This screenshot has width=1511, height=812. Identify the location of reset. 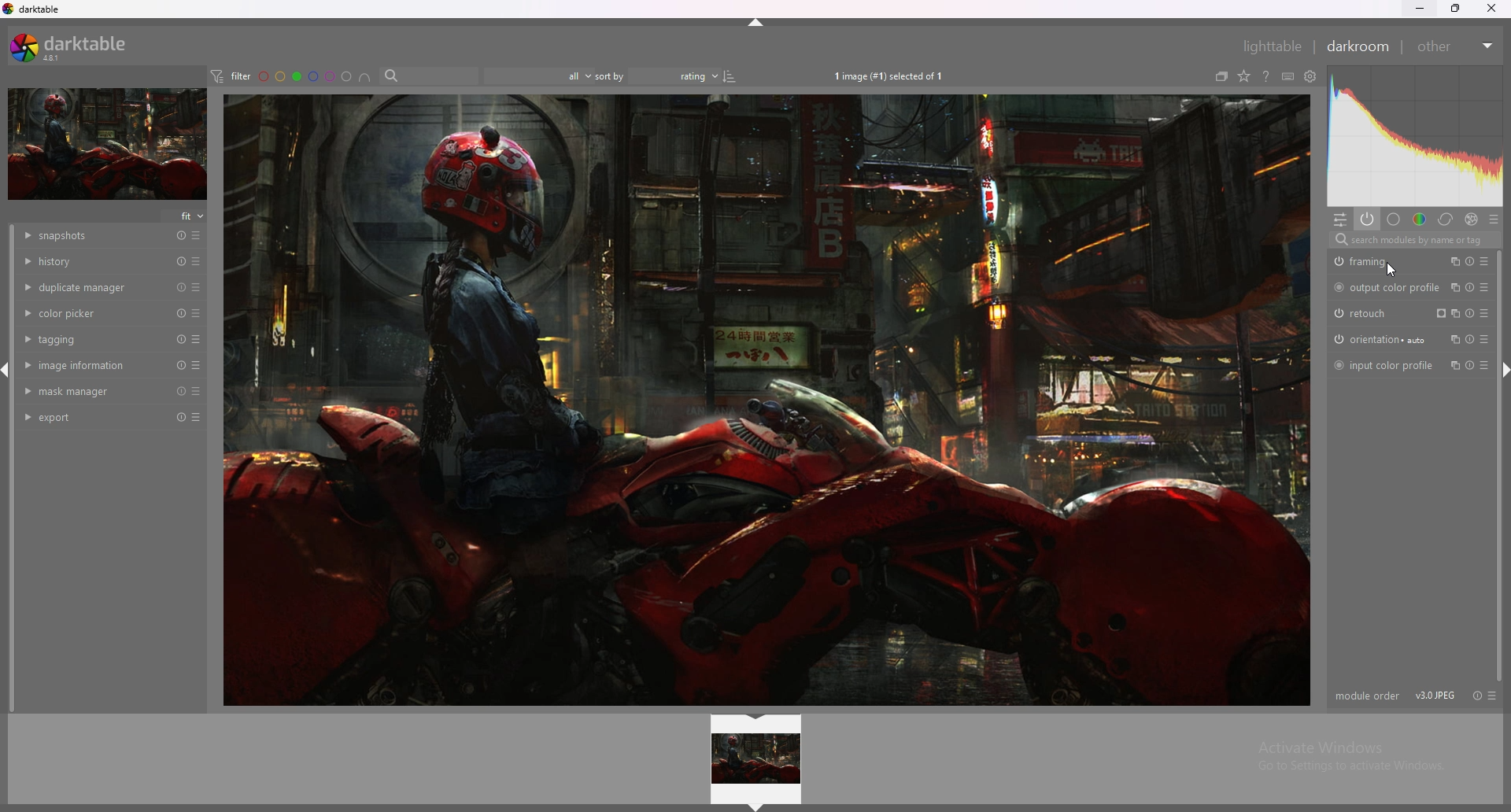
(1471, 289).